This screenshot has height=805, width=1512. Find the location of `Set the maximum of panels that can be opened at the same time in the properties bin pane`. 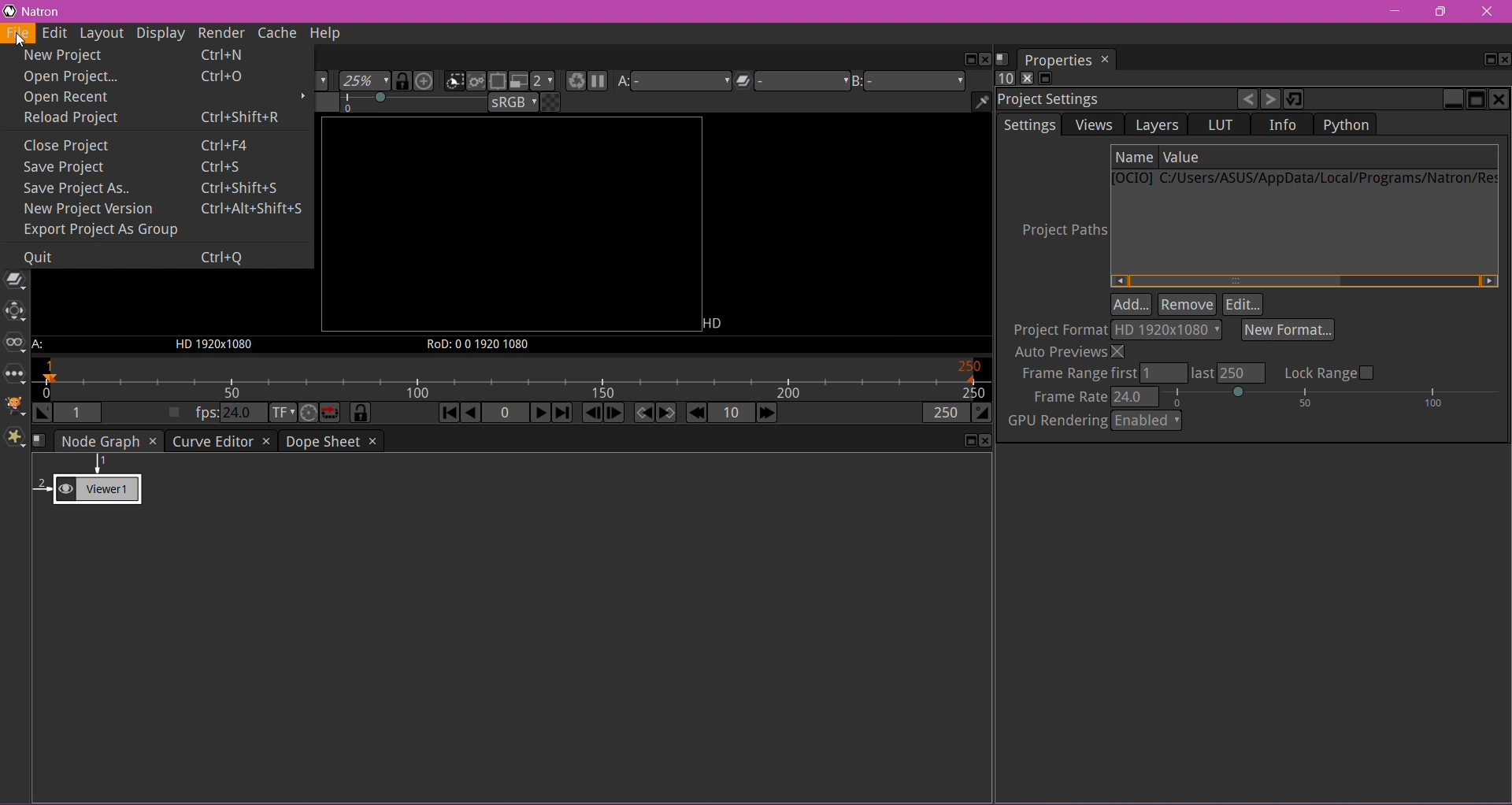

Set the maximum of panels that can be opened at the same time in the properties bin pane is located at coordinates (1006, 80).